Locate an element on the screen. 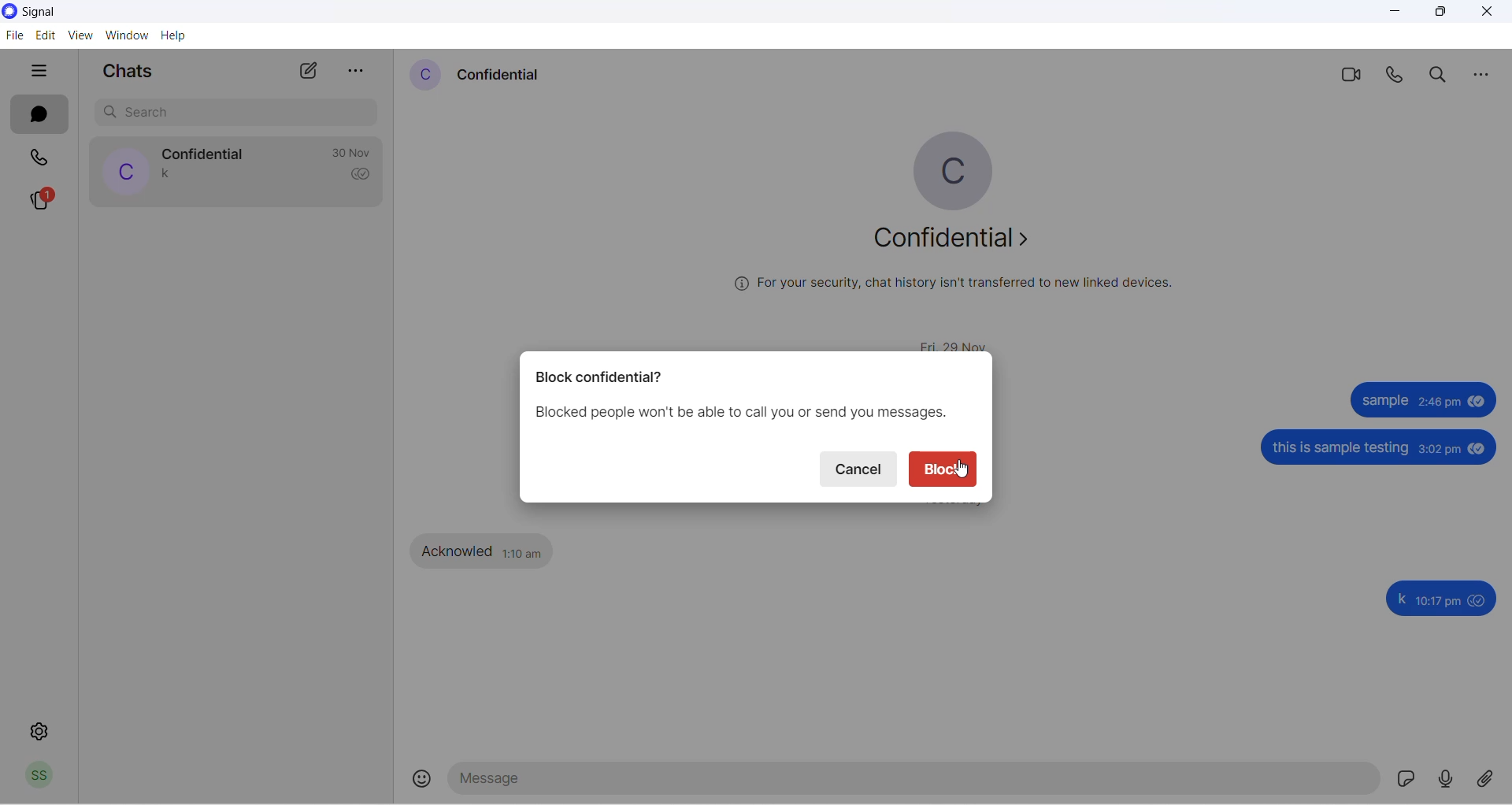  seen is located at coordinates (1480, 448).